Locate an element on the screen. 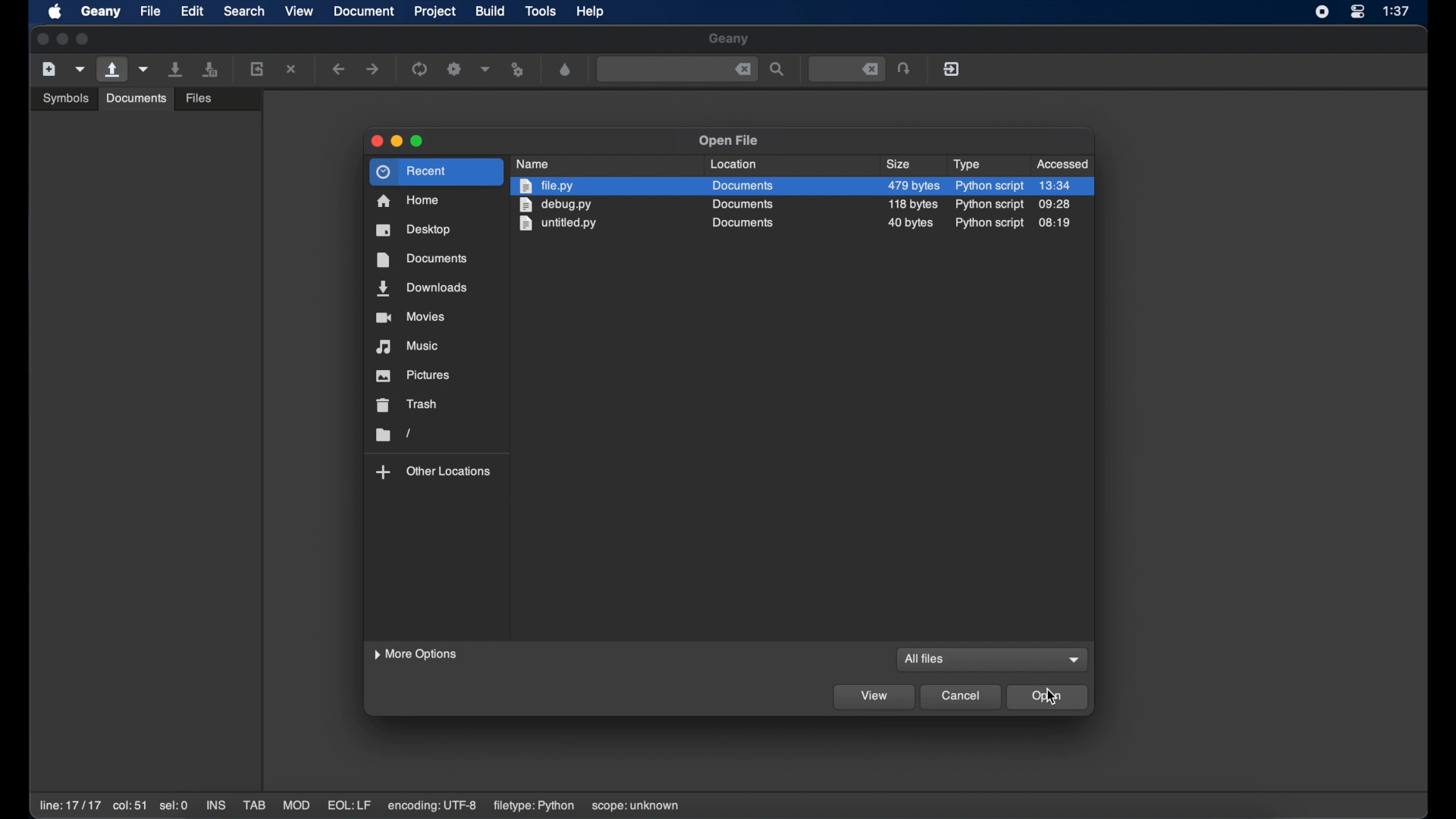 This screenshot has height=819, width=1456. save open files is located at coordinates (212, 68).